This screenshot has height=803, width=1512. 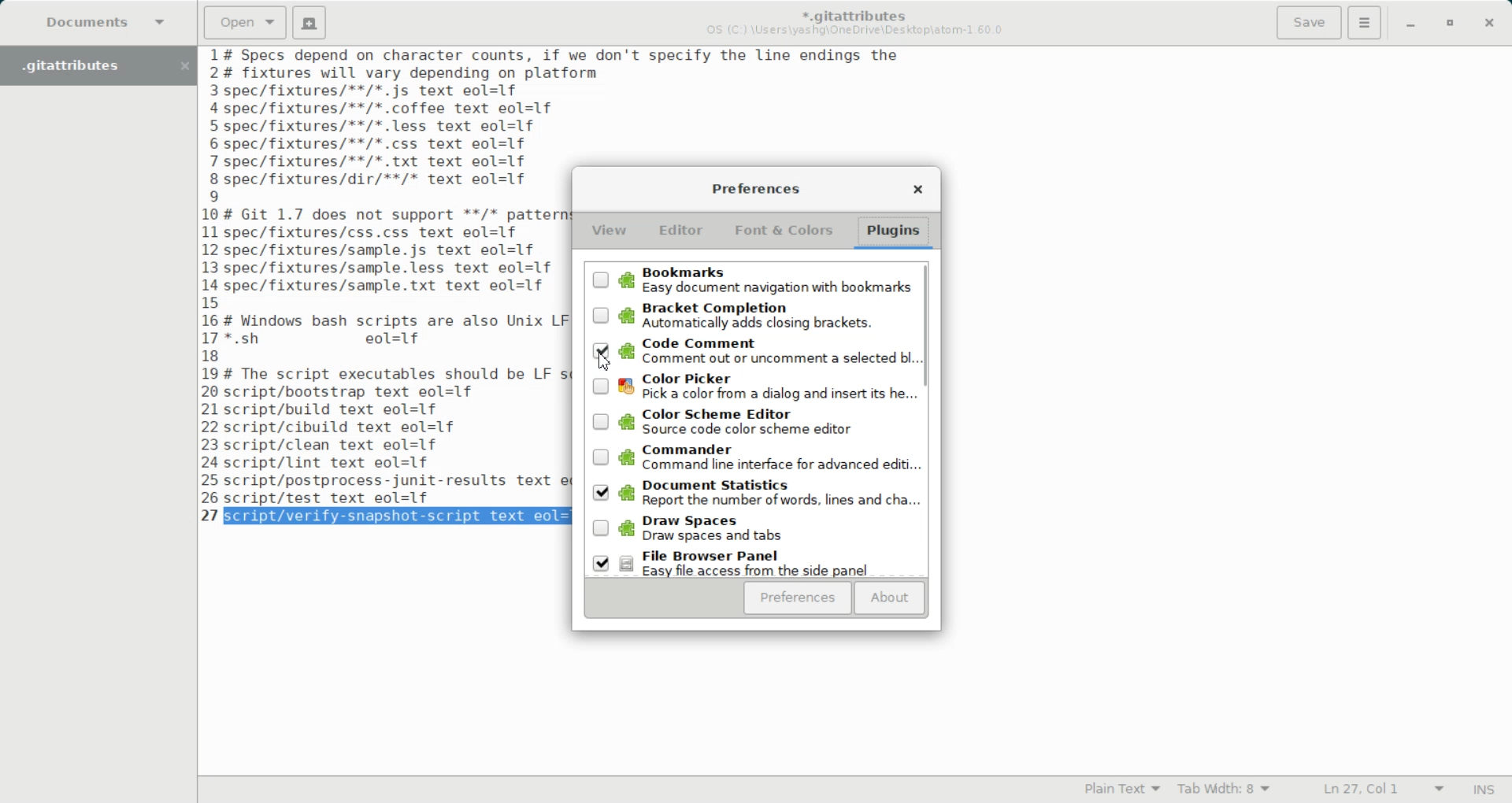 I want to click on Editor, so click(x=680, y=231).